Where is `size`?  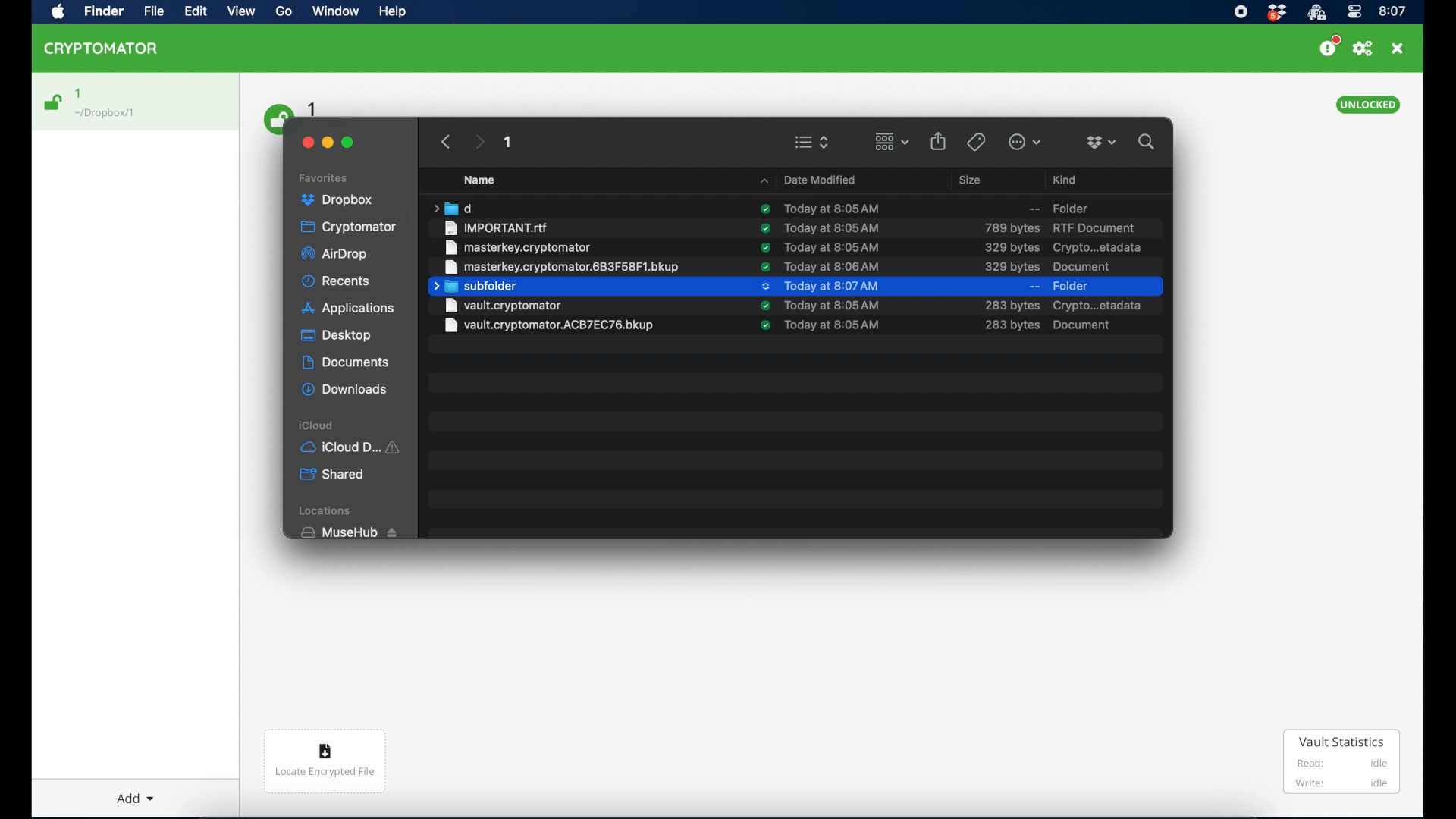
size is located at coordinates (1011, 247).